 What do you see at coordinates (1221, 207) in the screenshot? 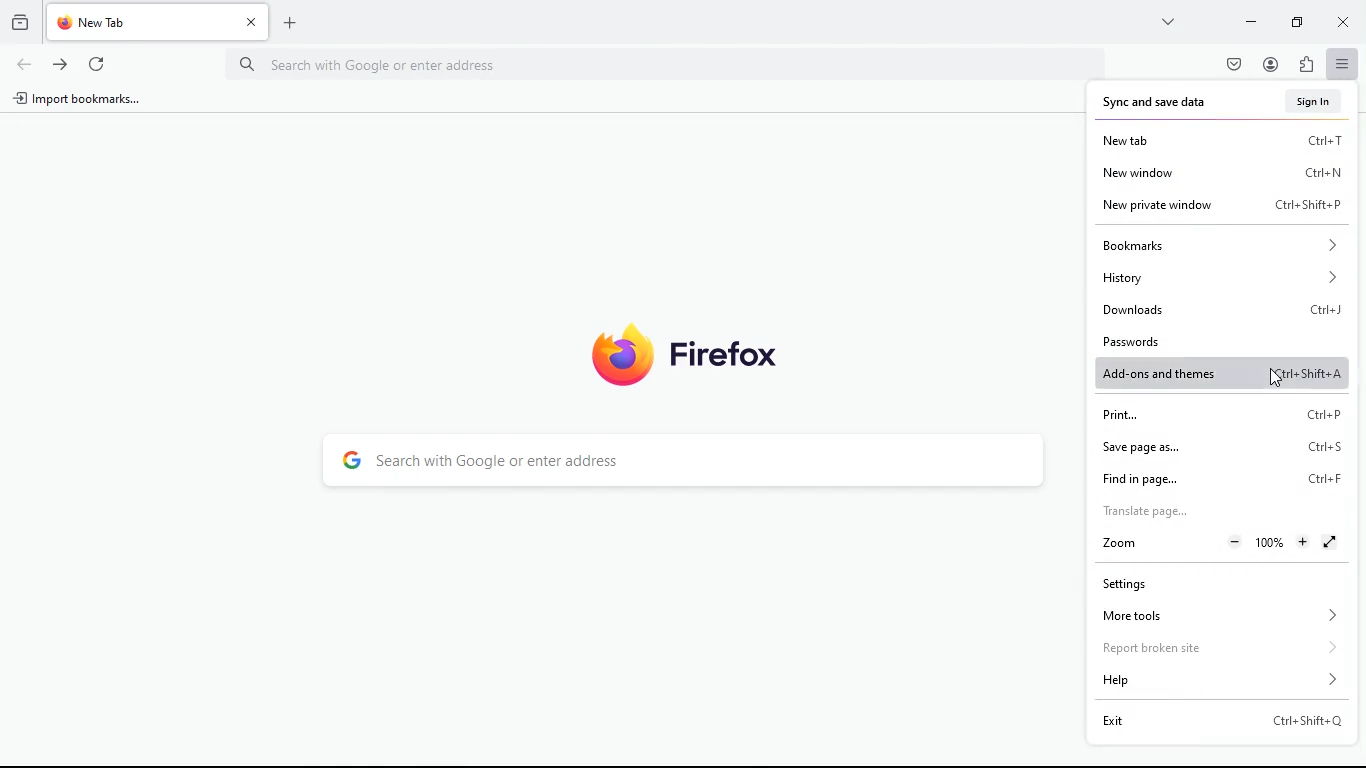
I see `new private window` at bounding box center [1221, 207].